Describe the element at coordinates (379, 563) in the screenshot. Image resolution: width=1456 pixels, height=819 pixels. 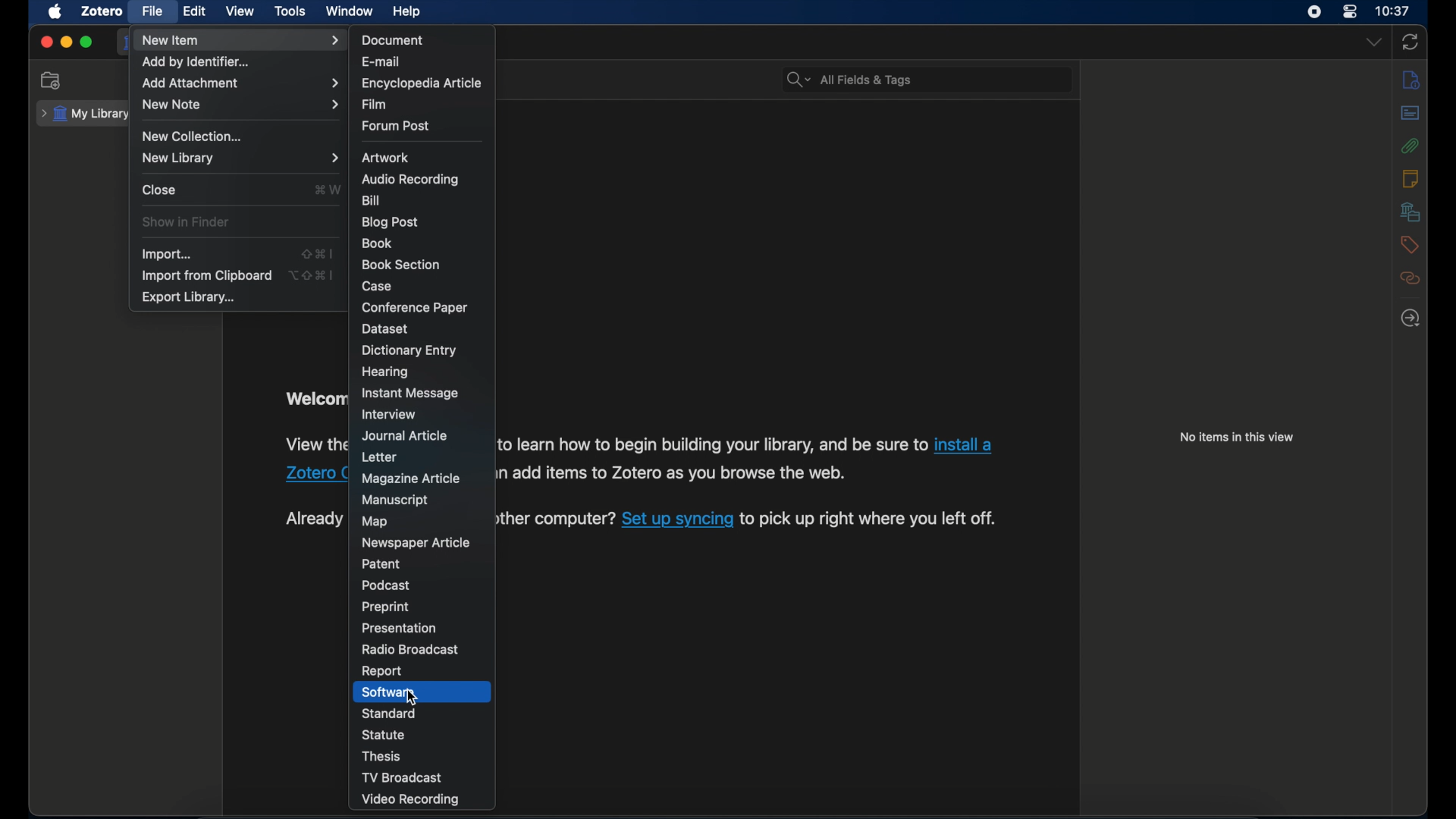
I see `patent` at that location.